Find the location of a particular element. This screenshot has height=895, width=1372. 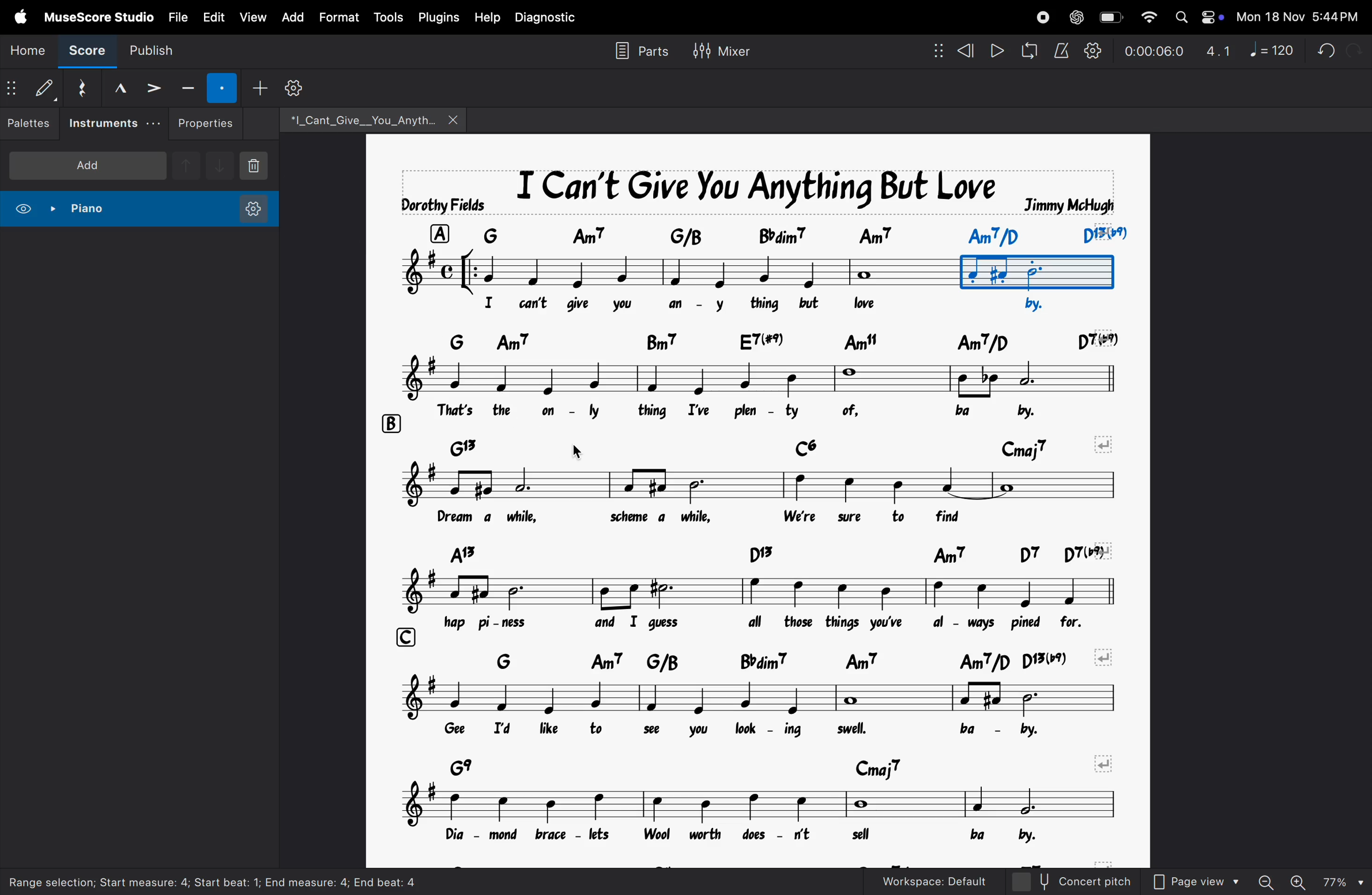

chord symbol is located at coordinates (801, 234).